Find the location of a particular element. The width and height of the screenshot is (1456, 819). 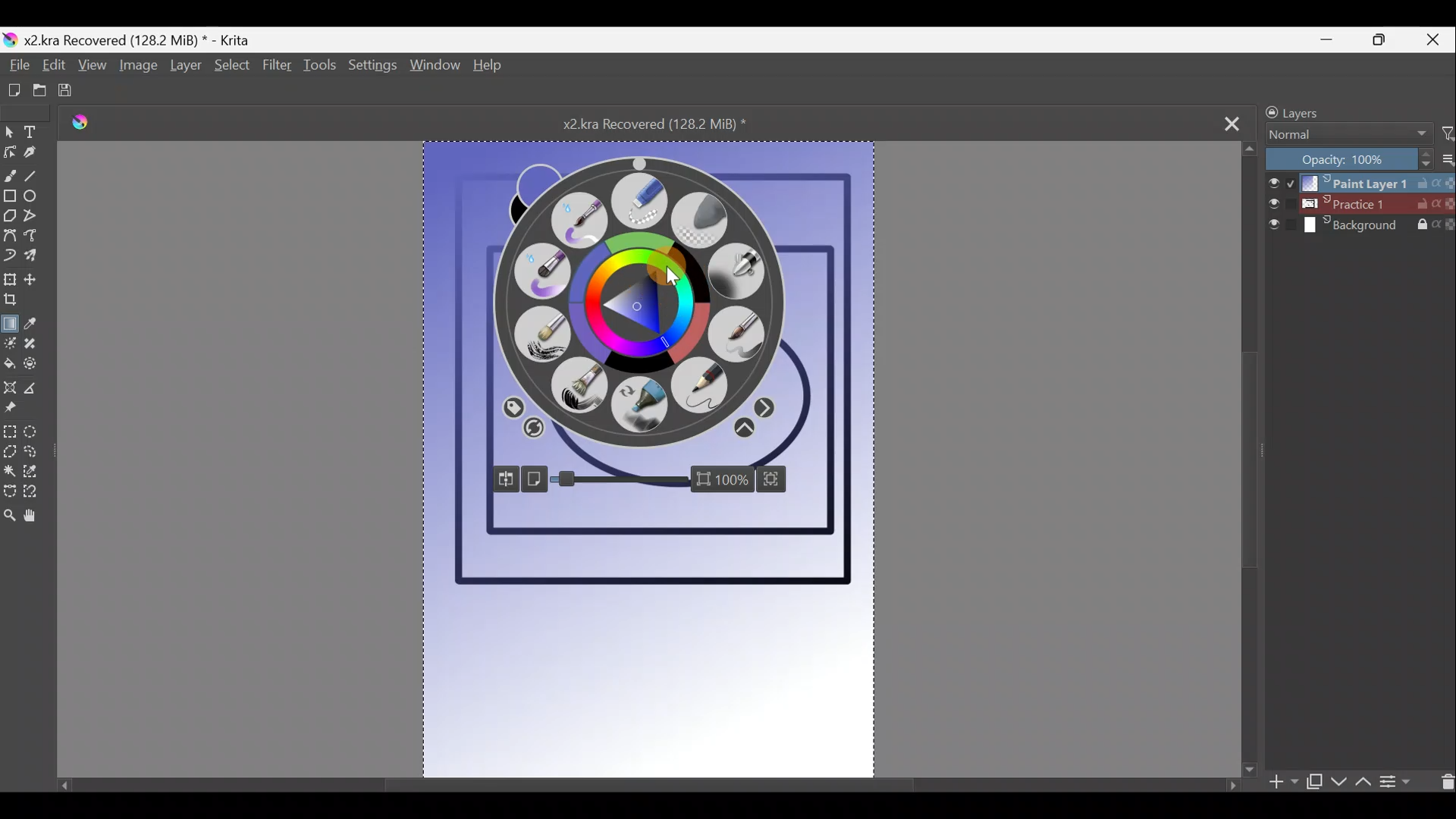

Filter is located at coordinates (277, 73).